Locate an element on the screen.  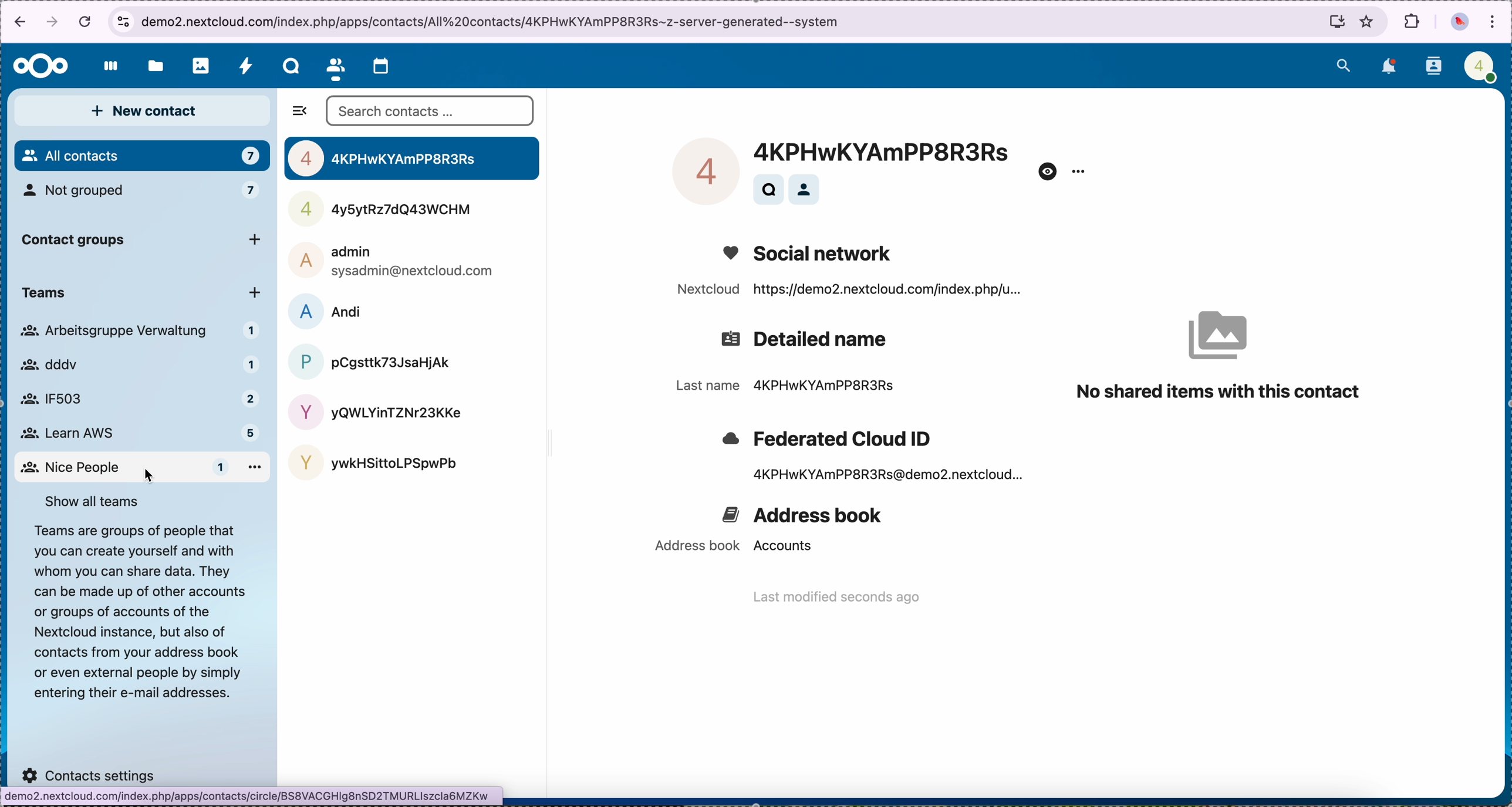
navigate back is located at coordinates (17, 22).